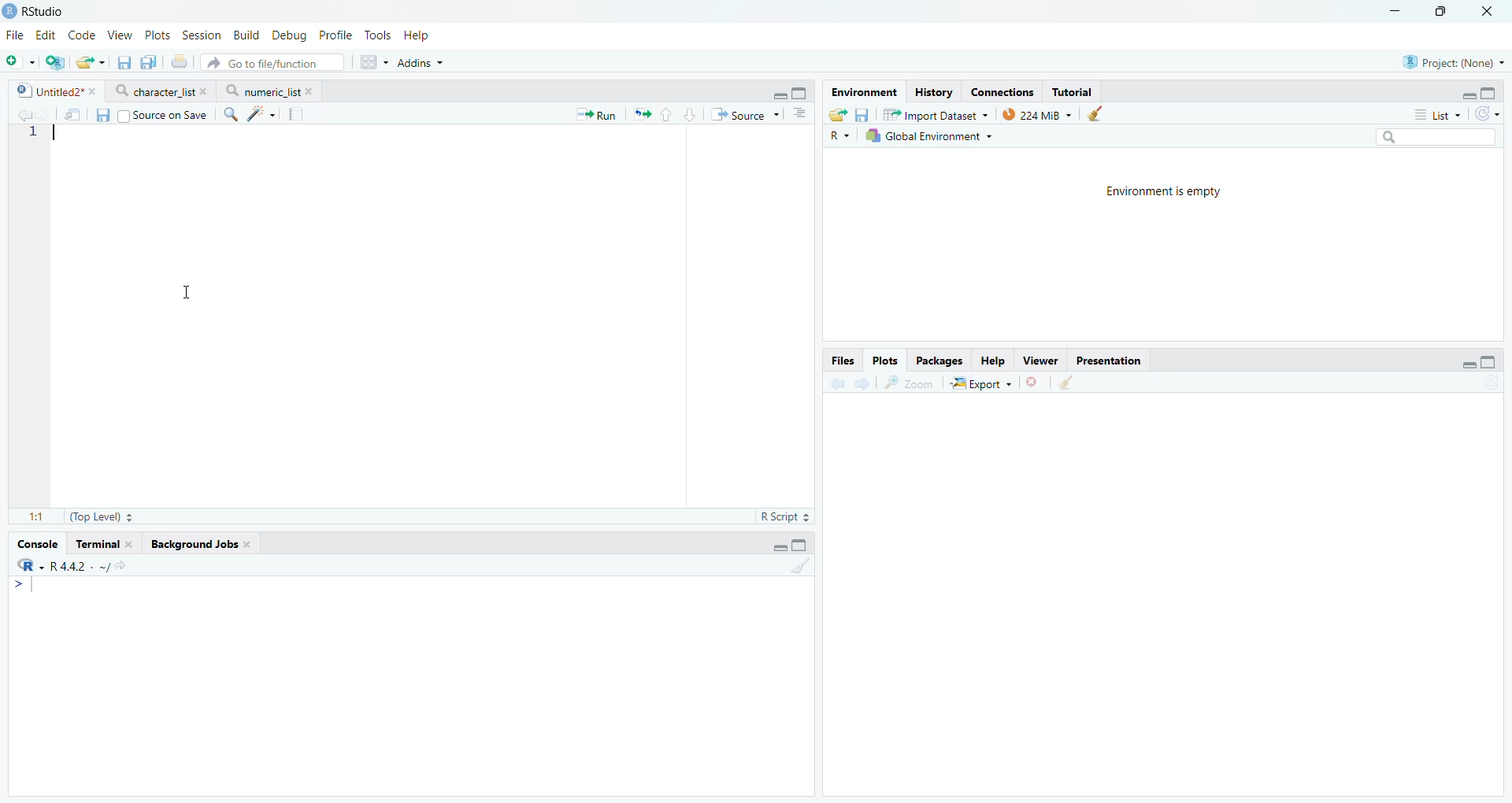  I want to click on Line numbers, so click(33, 136).